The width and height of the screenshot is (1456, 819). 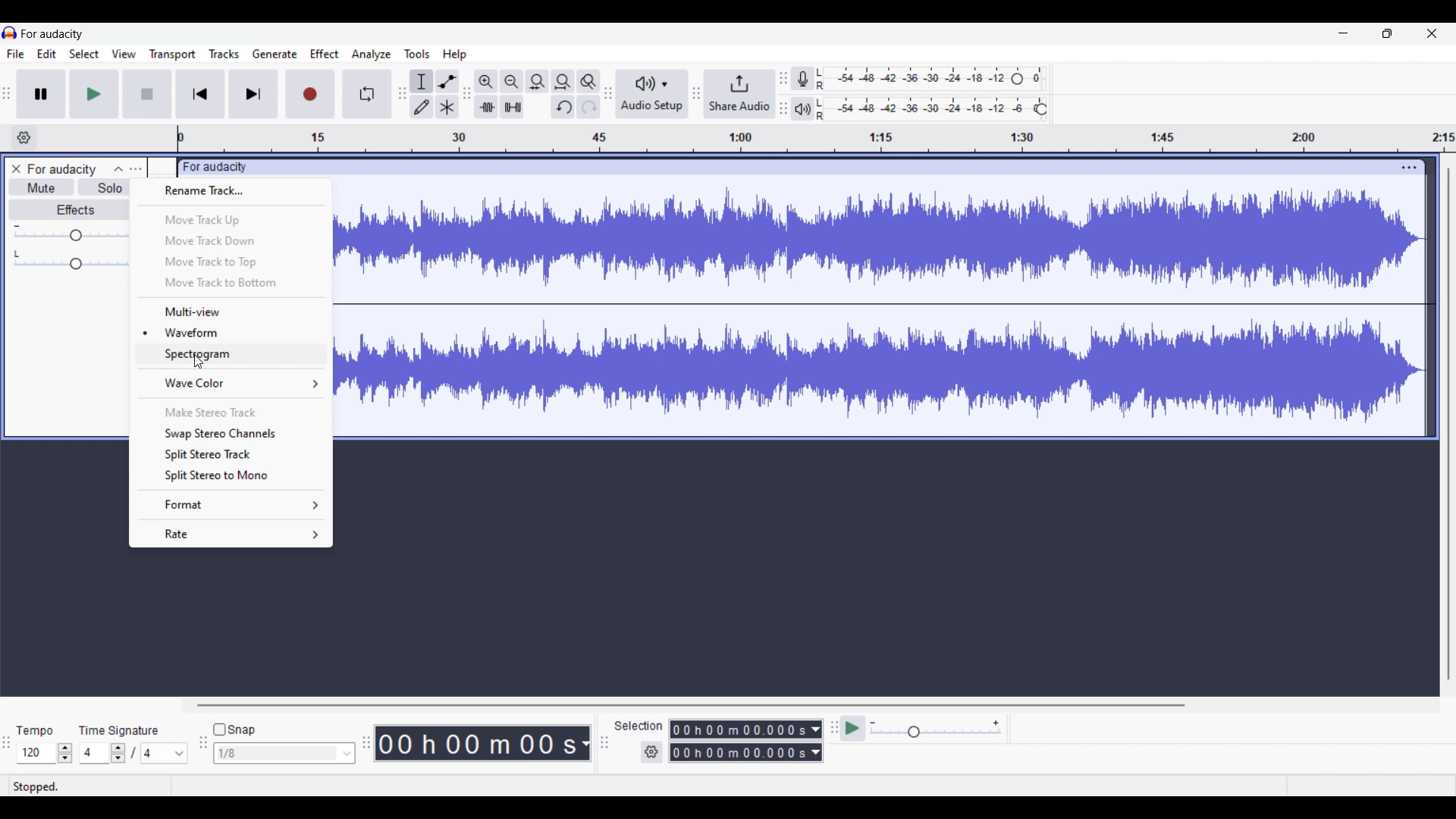 What do you see at coordinates (930, 79) in the screenshot?
I see `Recording level` at bounding box center [930, 79].